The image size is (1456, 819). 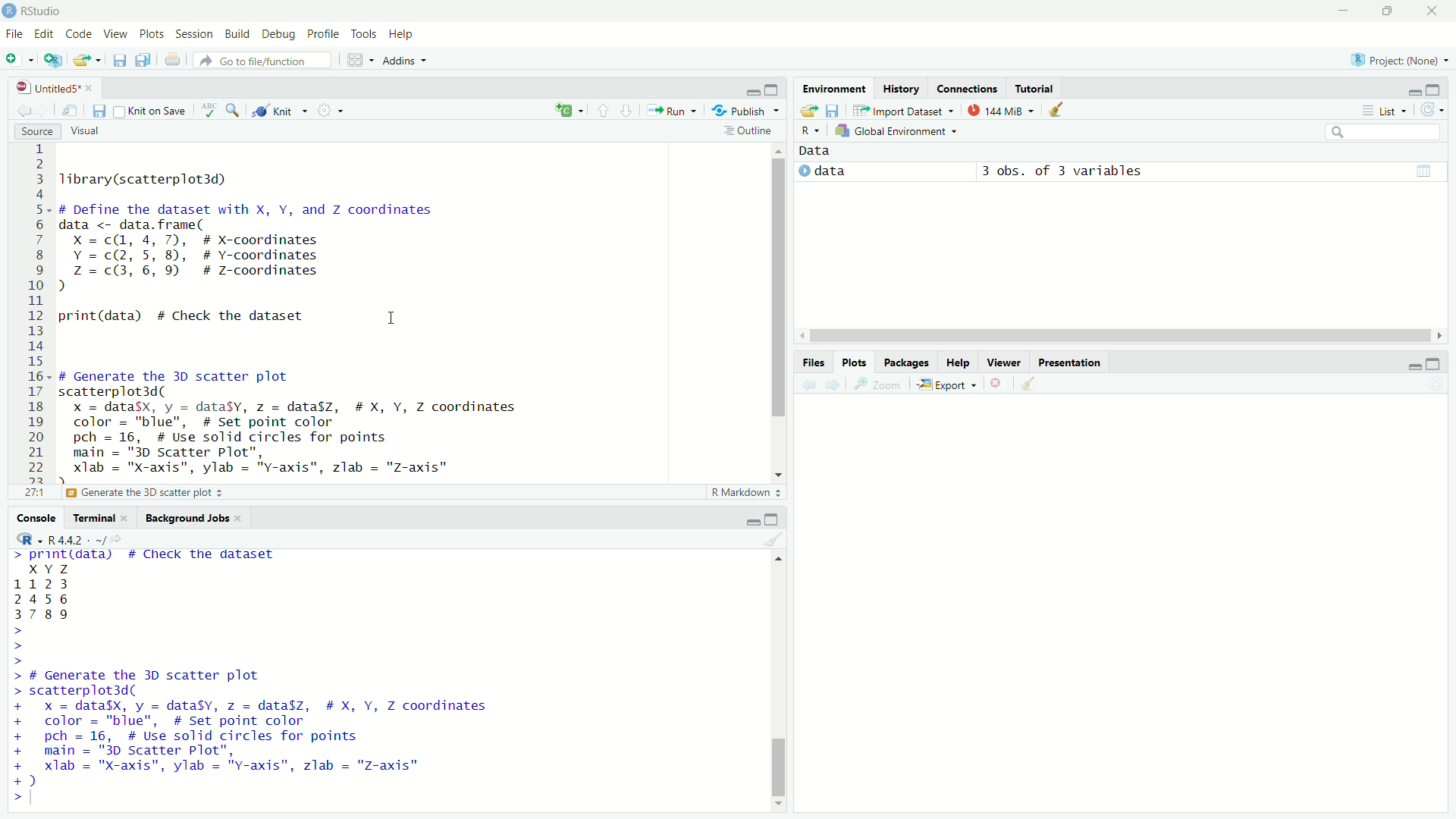 I want to click on move down, so click(x=781, y=472).